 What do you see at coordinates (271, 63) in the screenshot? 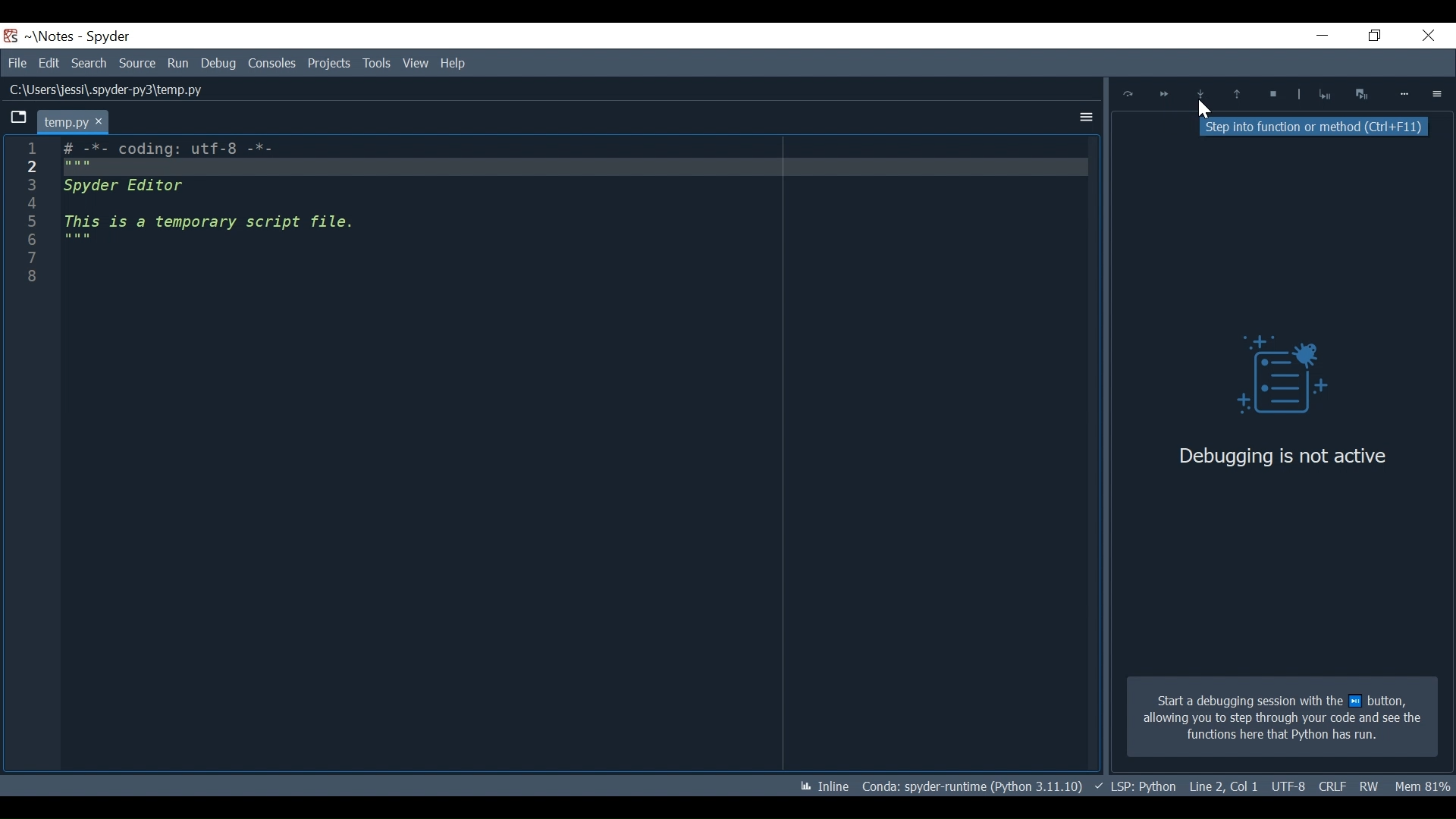
I see `Consoles` at bounding box center [271, 63].